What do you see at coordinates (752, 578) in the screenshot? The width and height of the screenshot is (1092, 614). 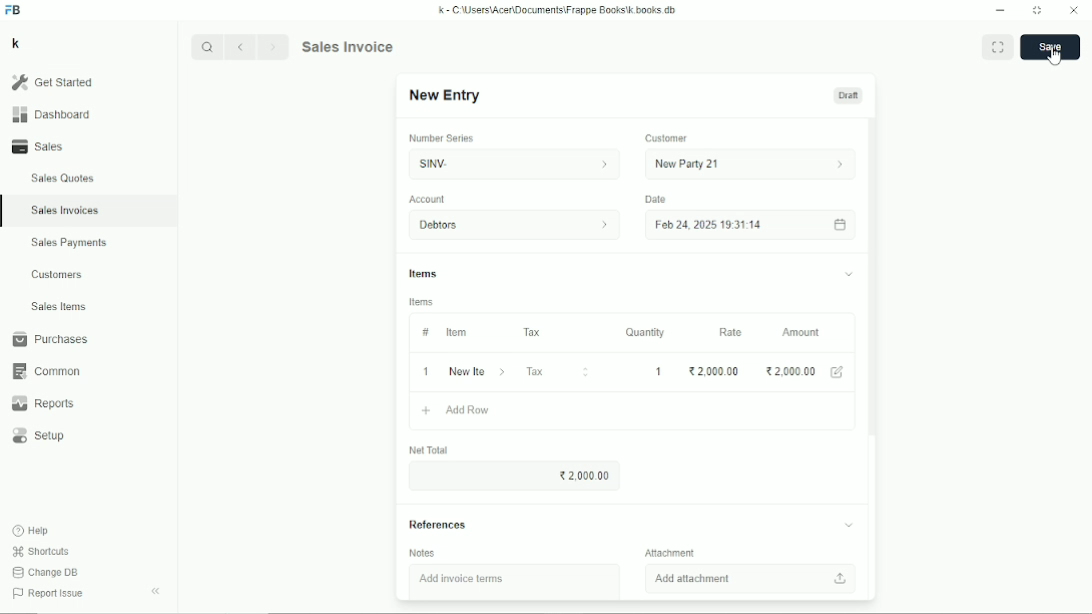 I see `Add attachment` at bounding box center [752, 578].